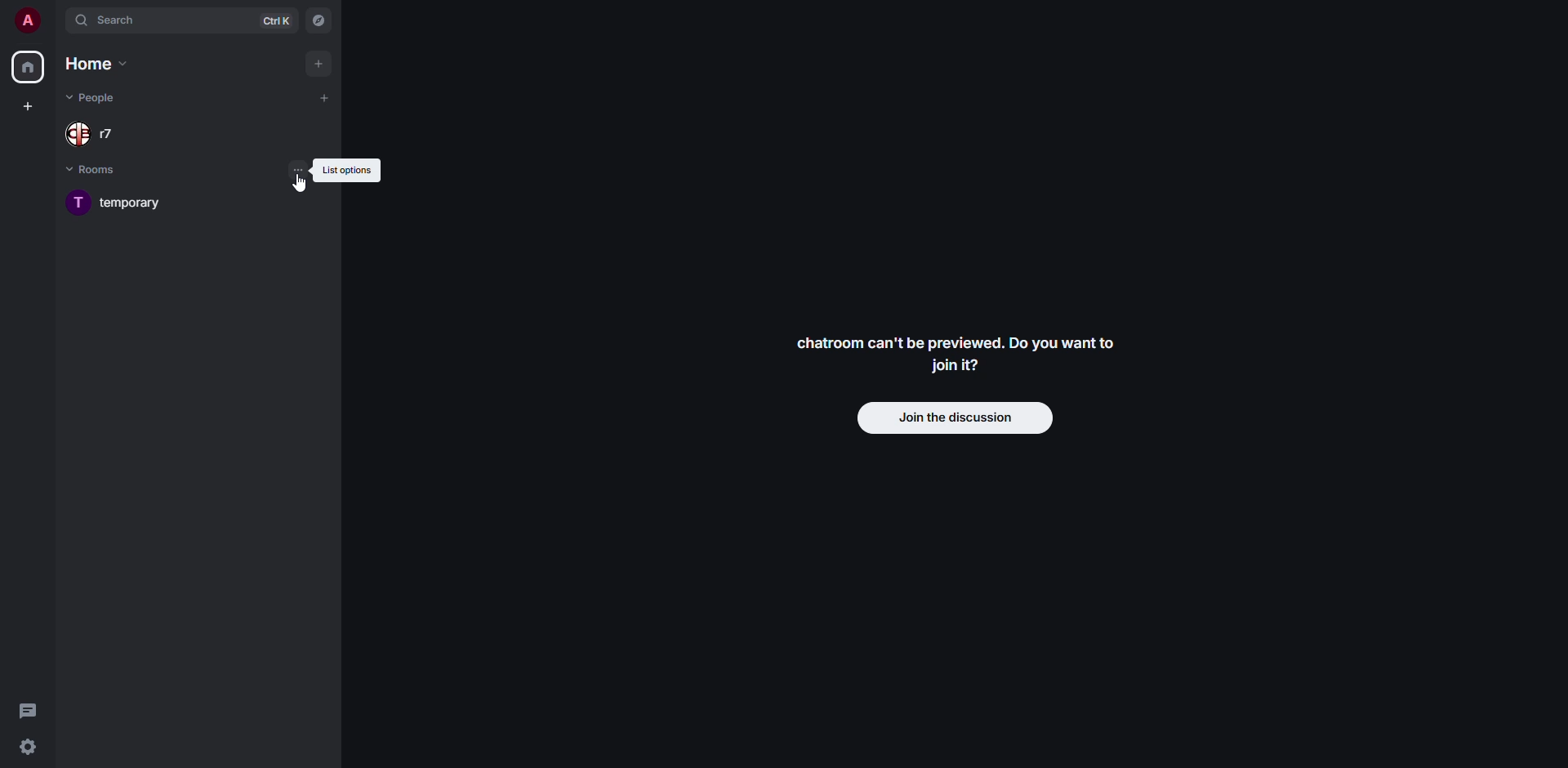  I want to click on people, so click(98, 98).